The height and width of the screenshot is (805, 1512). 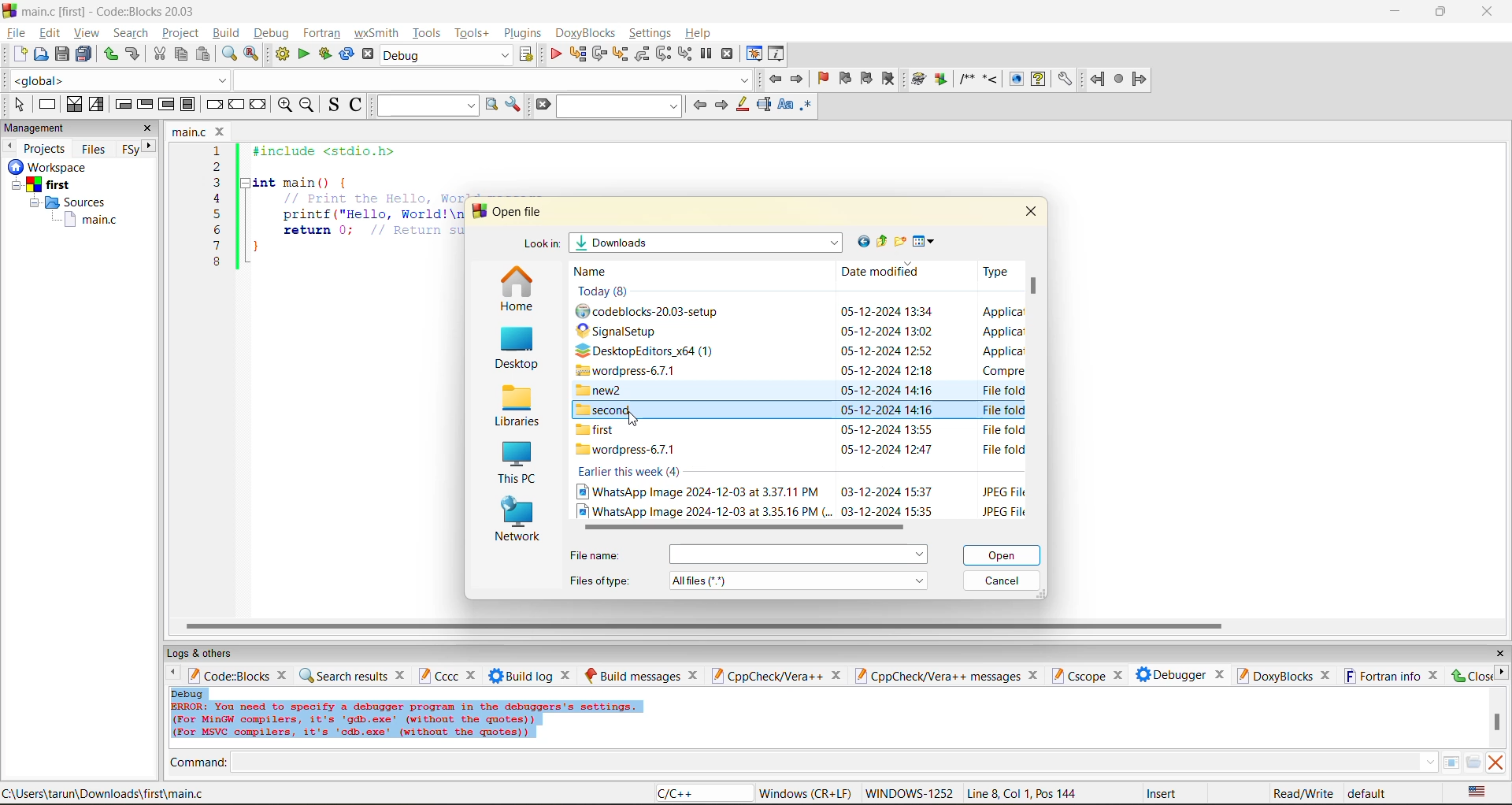 What do you see at coordinates (684, 54) in the screenshot?
I see `step into instruction` at bounding box center [684, 54].